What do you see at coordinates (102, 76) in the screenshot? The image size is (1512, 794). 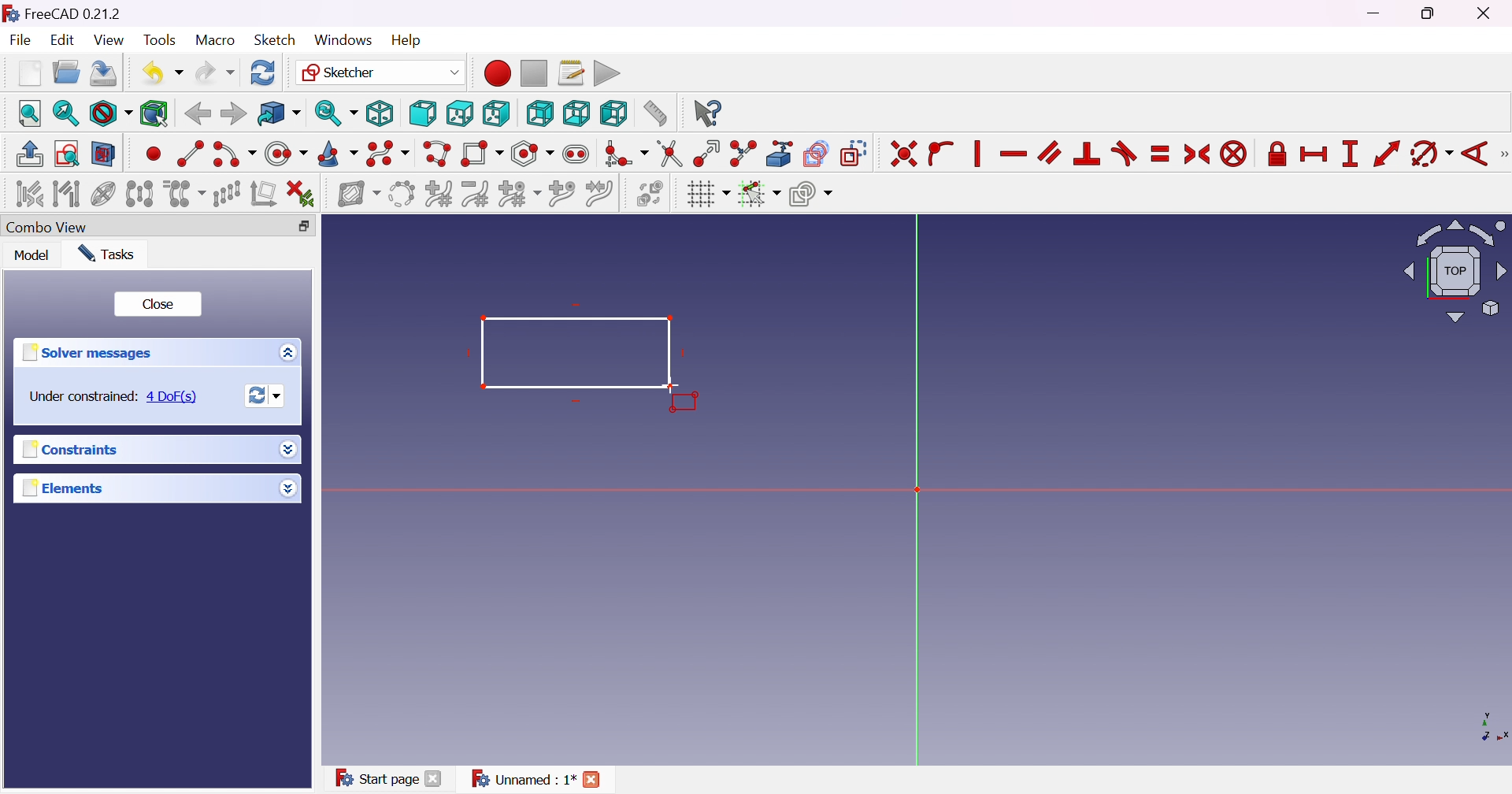 I see `Save` at bounding box center [102, 76].